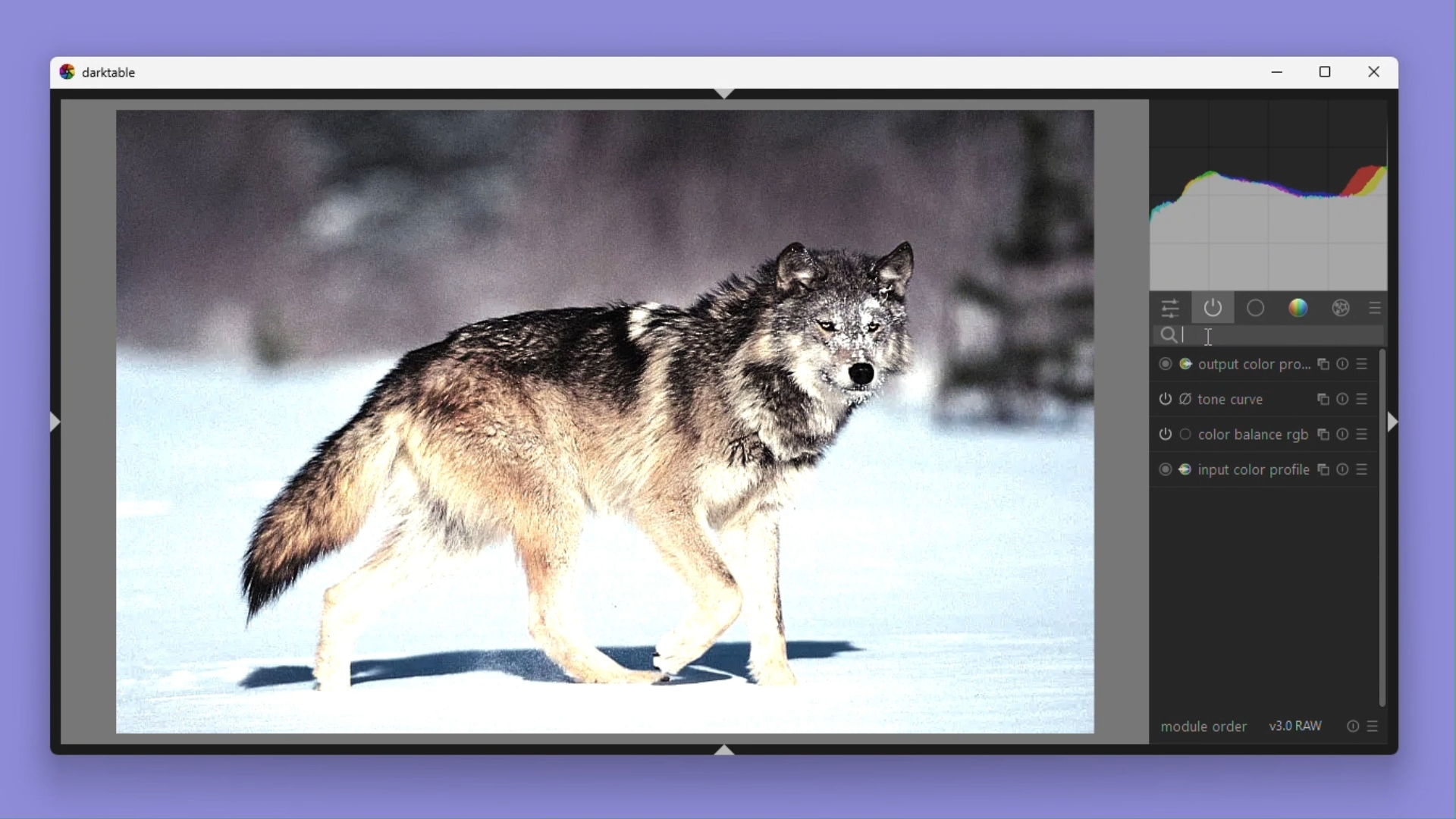  What do you see at coordinates (1348, 726) in the screenshot?
I see `reset option` at bounding box center [1348, 726].